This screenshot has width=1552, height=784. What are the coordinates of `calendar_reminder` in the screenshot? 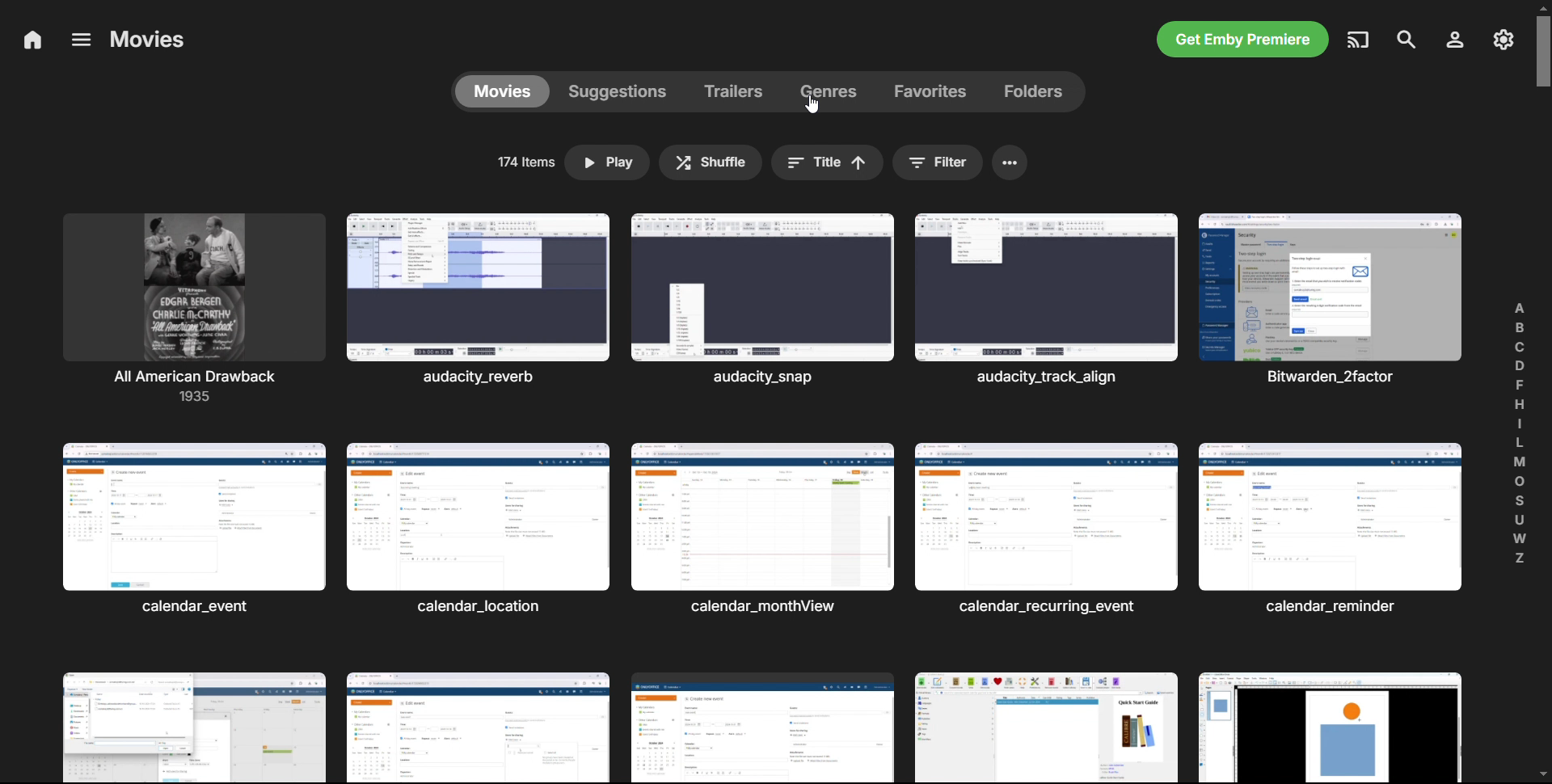 It's located at (1331, 529).